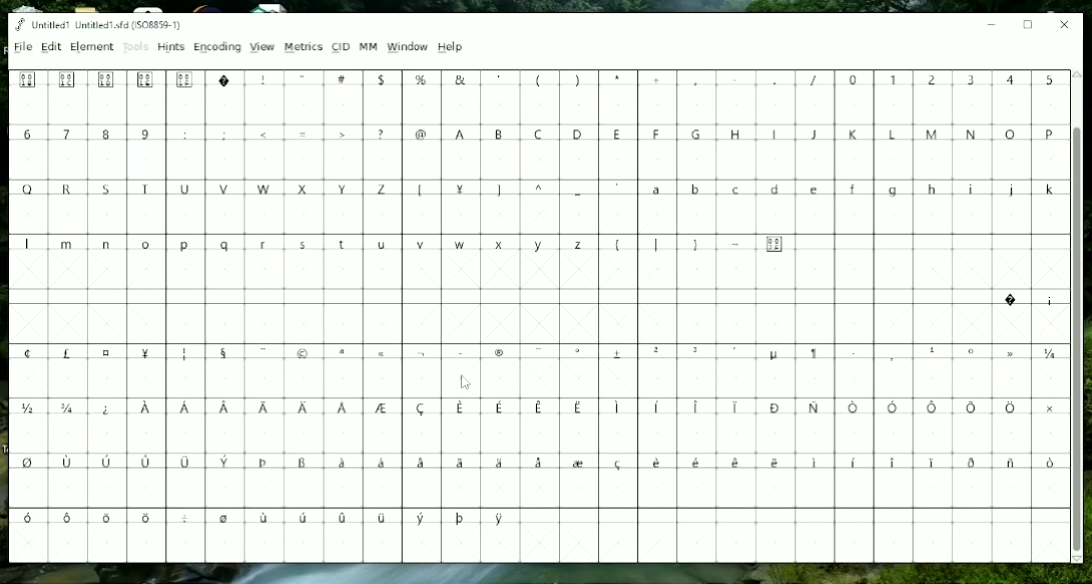 This screenshot has width=1092, height=584. What do you see at coordinates (303, 47) in the screenshot?
I see `Metrics` at bounding box center [303, 47].